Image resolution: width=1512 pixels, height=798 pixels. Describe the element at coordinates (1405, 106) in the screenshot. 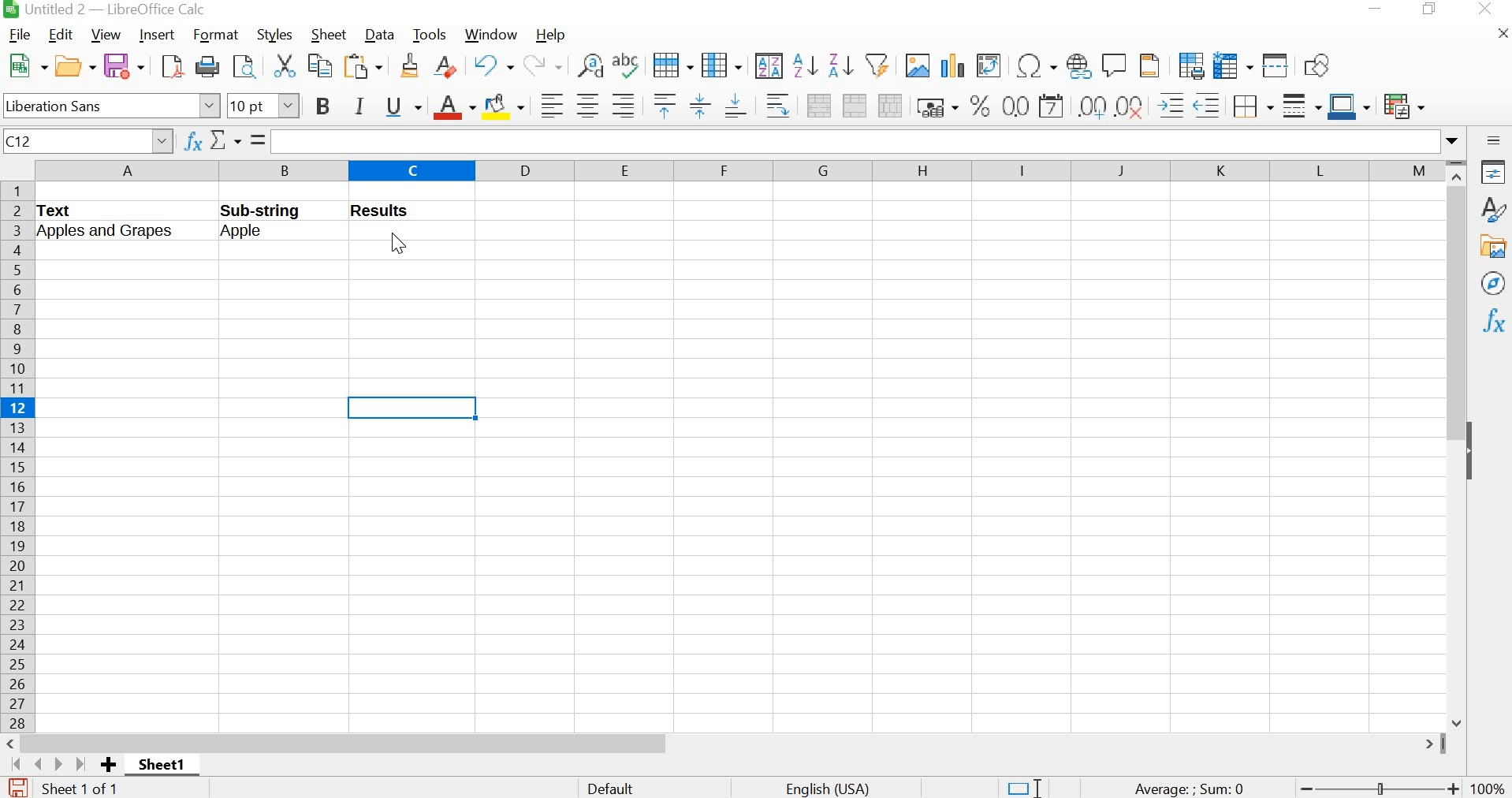

I see `conditional` at that location.